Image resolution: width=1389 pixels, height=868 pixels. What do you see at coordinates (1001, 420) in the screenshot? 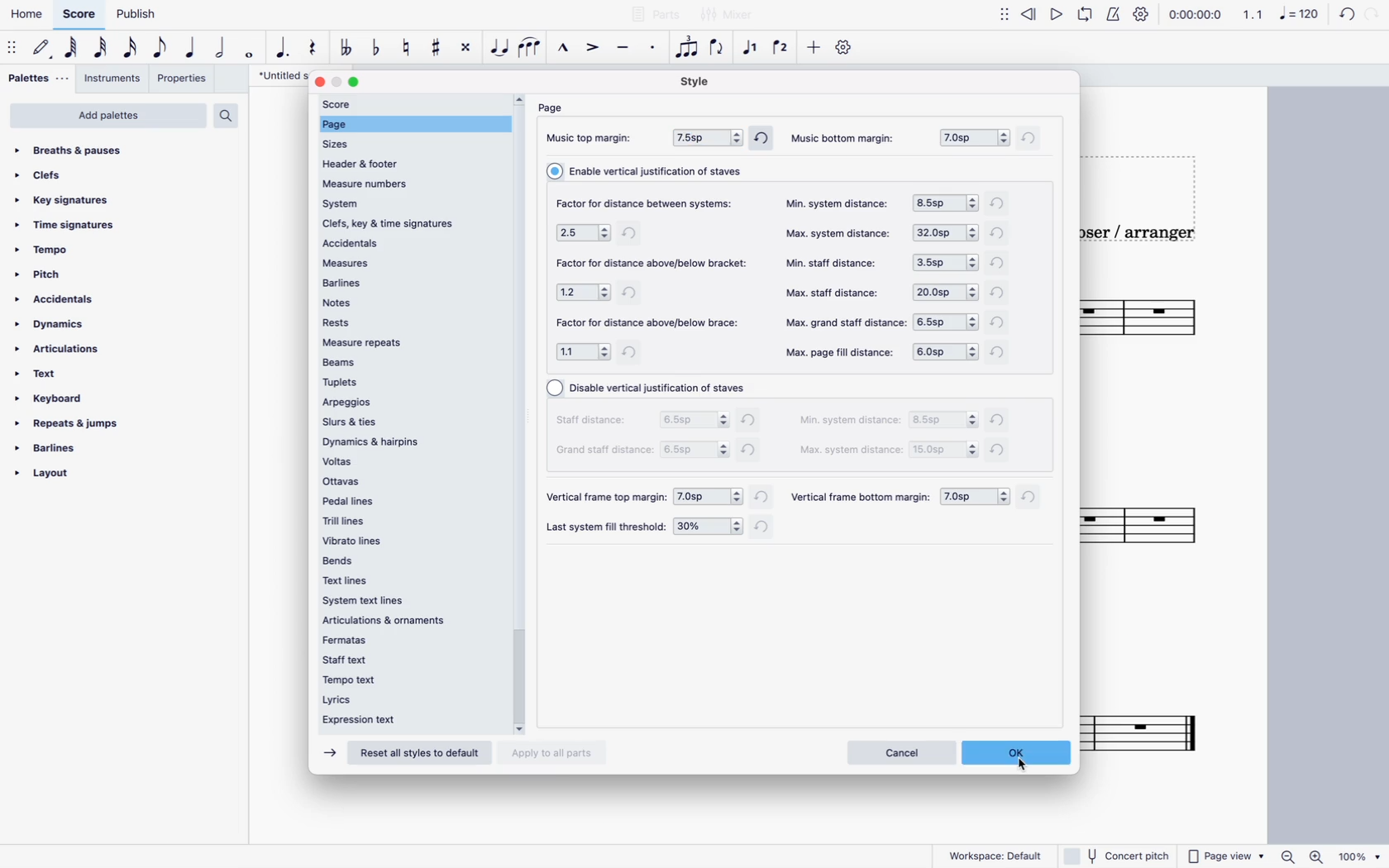
I see `refresh` at bounding box center [1001, 420].